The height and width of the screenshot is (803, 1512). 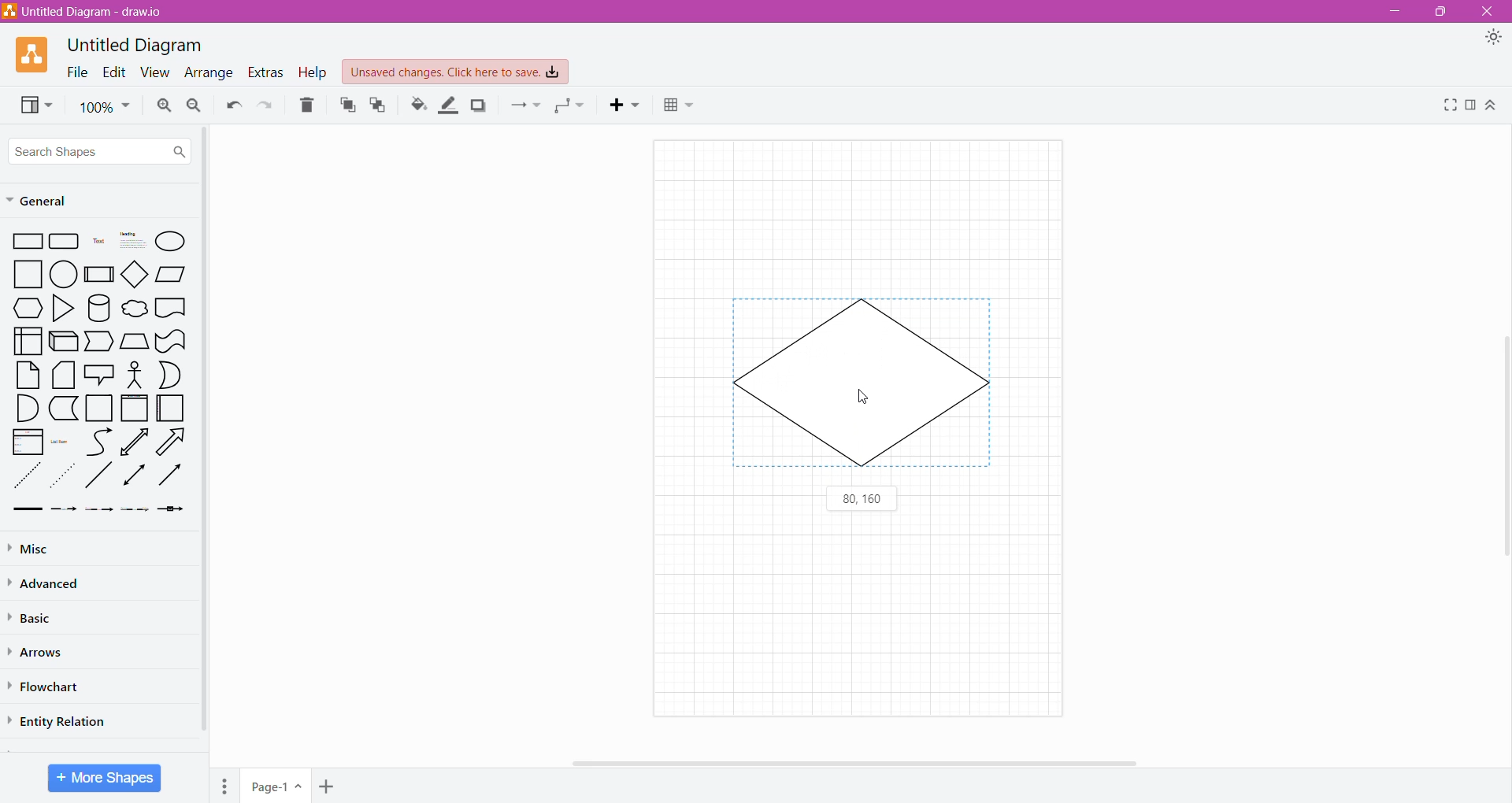 What do you see at coordinates (34, 54) in the screenshot?
I see `Application Logo` at bounding box center [34, 54].